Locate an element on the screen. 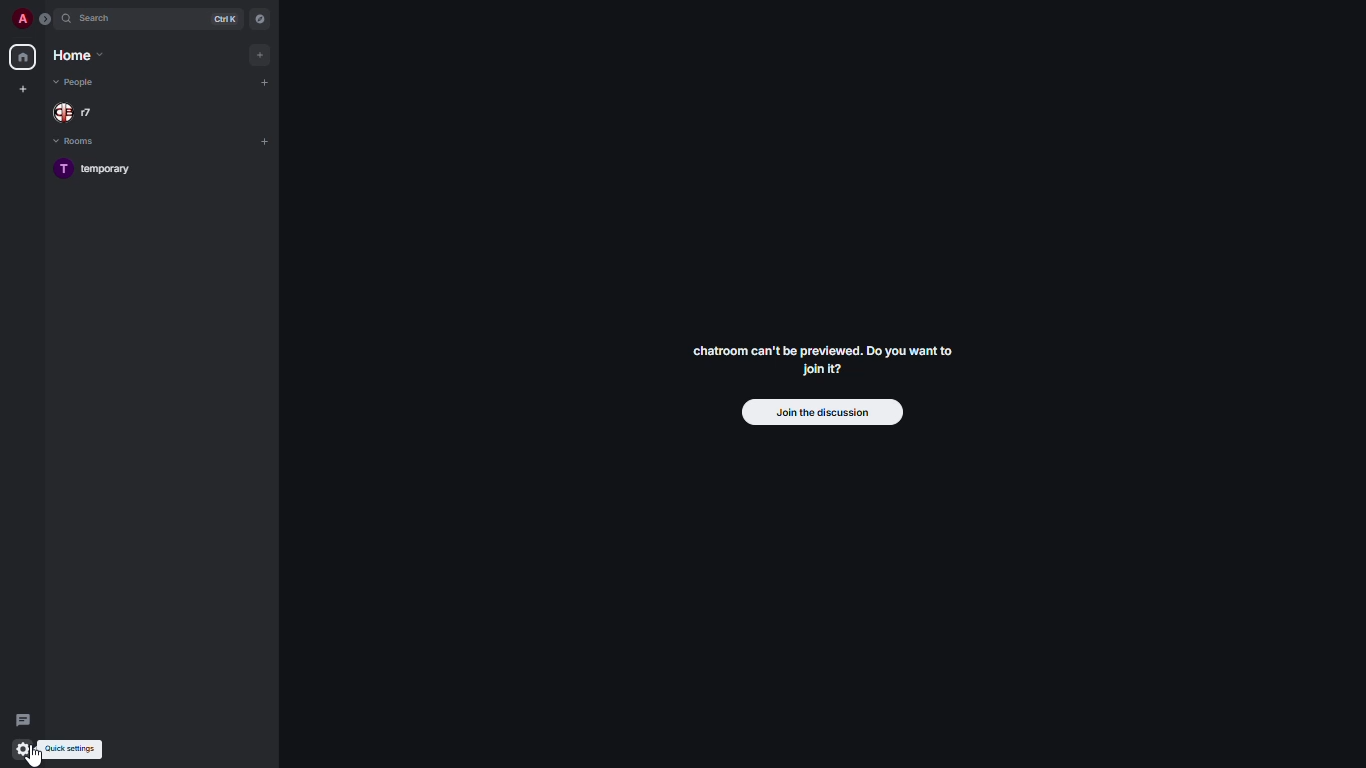  add is located at coordinates (265, 81).